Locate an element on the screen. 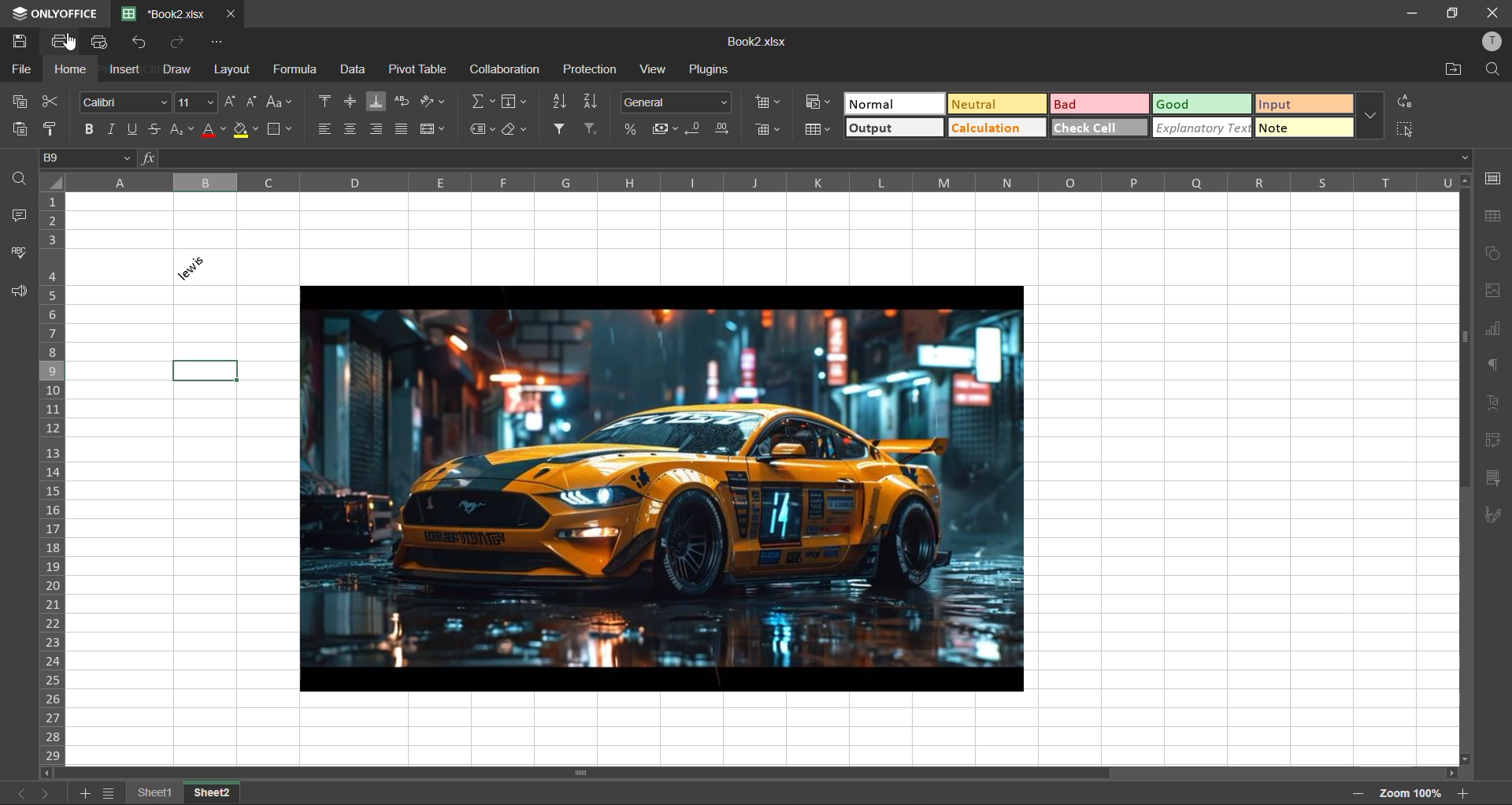 This screenshot has width=1512, height=805. normal is located at coordinates (895, 105).